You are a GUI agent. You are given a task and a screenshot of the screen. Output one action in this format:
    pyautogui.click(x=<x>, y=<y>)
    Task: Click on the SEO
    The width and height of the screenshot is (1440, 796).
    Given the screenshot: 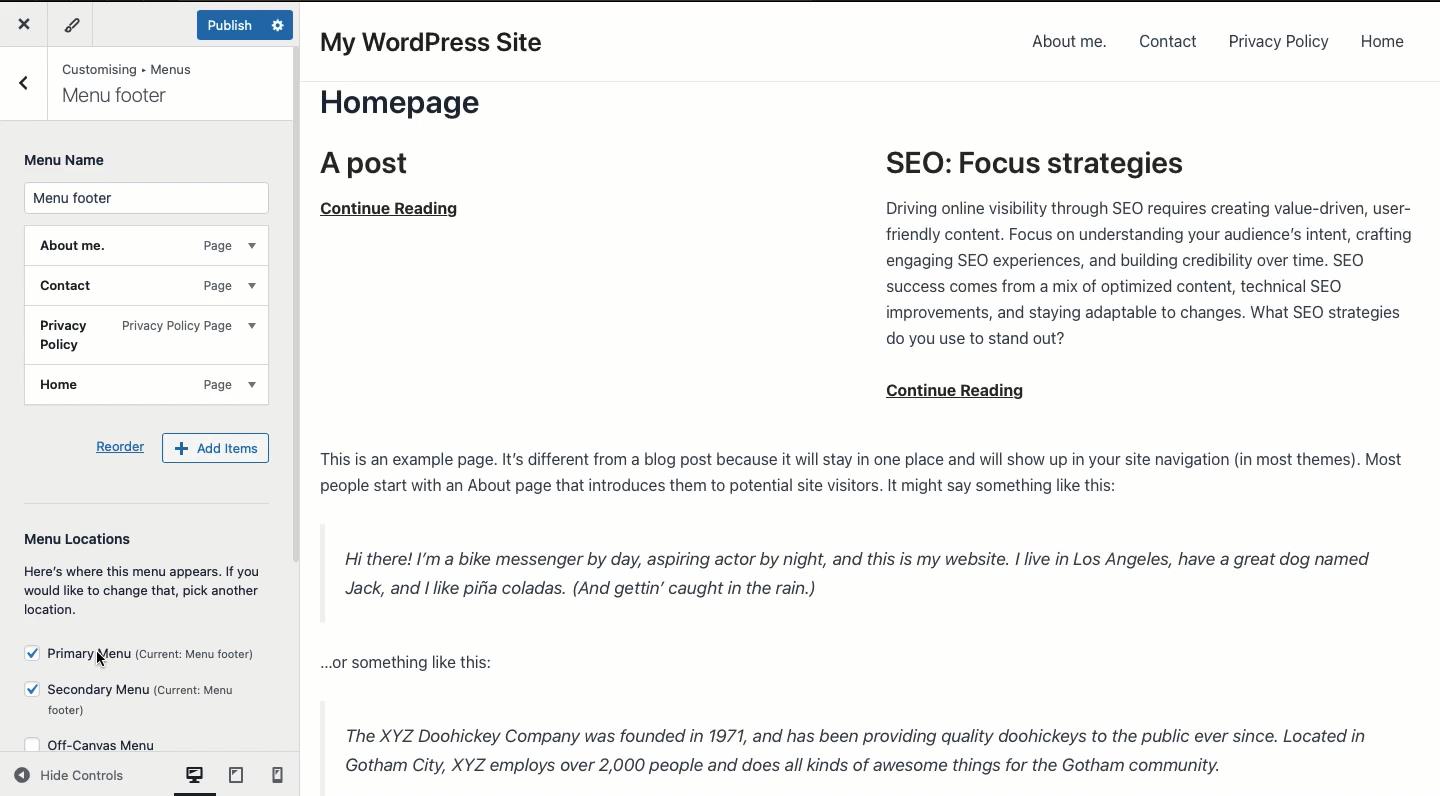 What is the action you would take?
    pyautogui.click(x=1143, y=252)
    